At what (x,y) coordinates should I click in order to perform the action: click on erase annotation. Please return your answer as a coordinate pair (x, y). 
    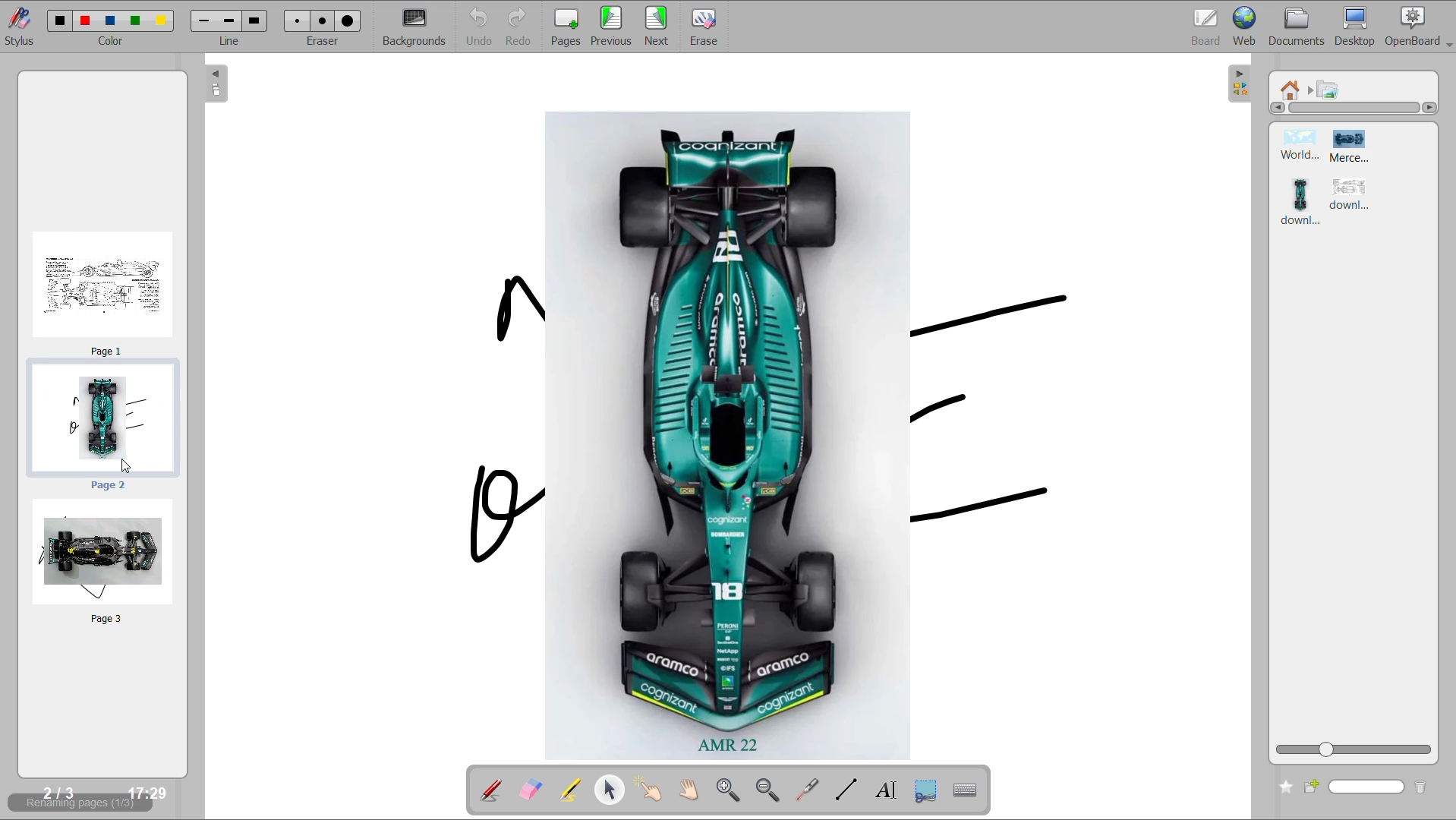
    Looking at the image, I should click on (528, 791).